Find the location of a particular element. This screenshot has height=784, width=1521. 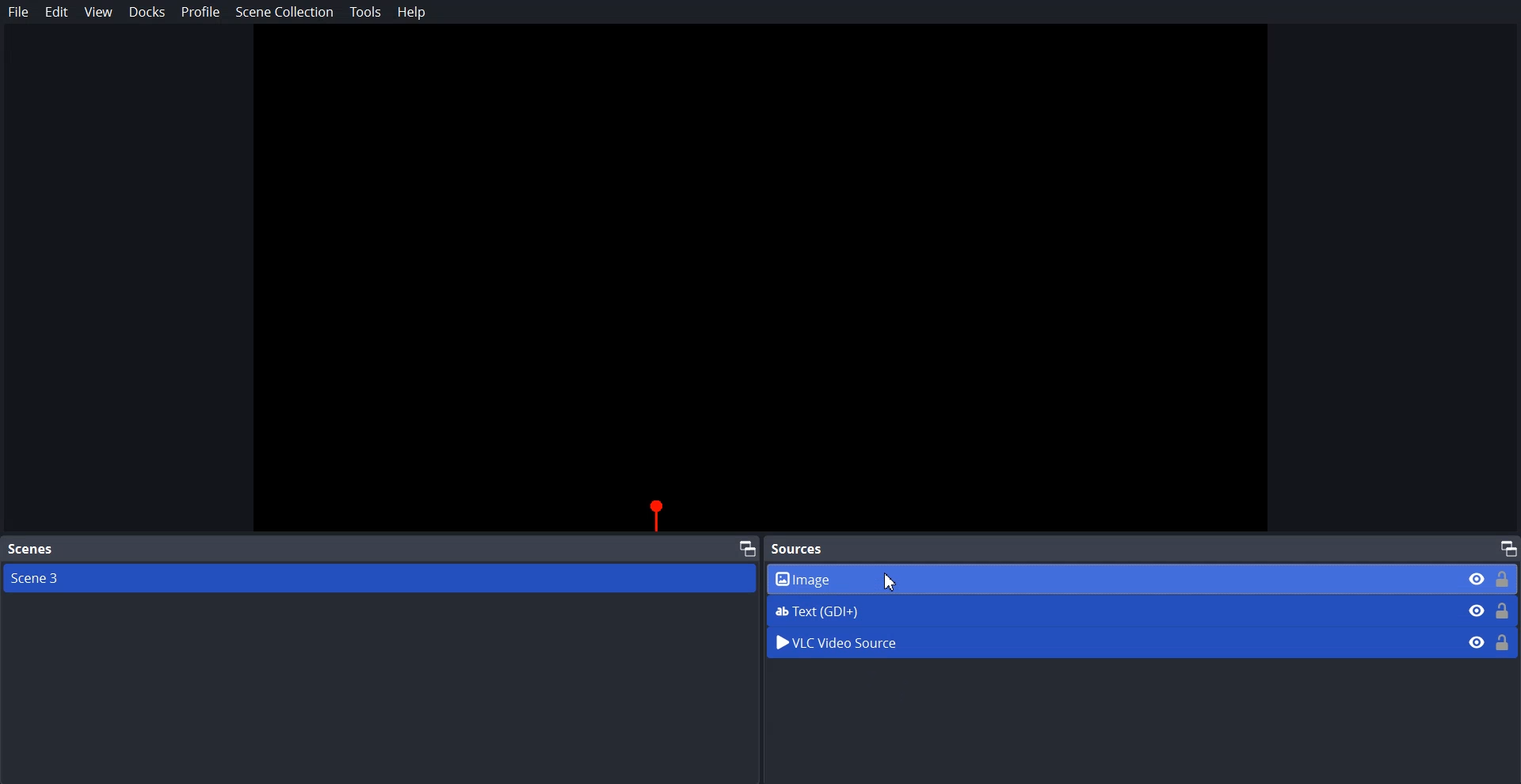

Scene Collection is located at coordinates (284, 14).